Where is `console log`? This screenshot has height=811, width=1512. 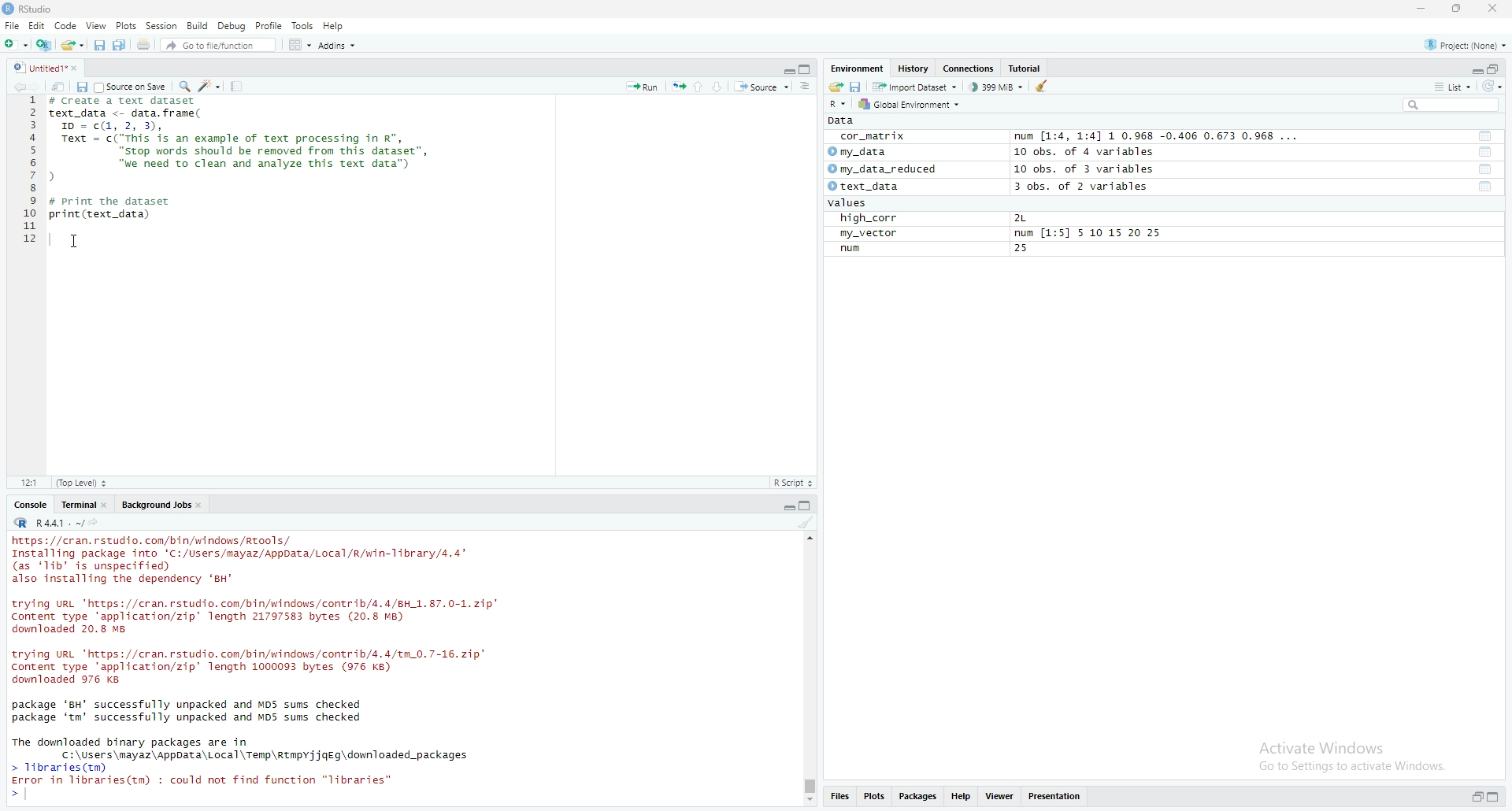 console log is located at coordinates (275, 668).